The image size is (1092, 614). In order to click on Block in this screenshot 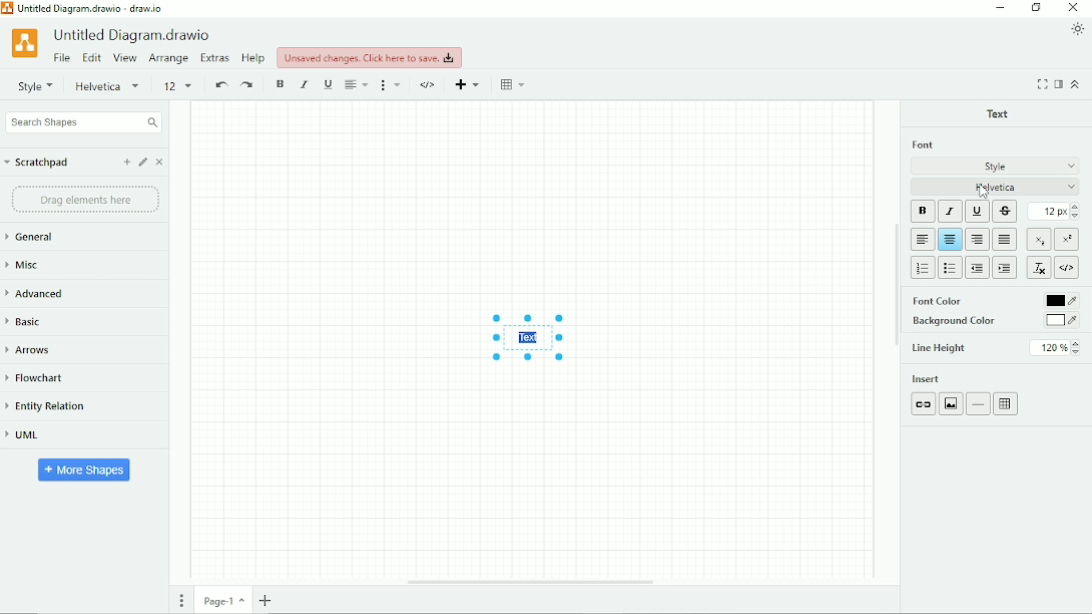, I will do `click(1005, 239)`.